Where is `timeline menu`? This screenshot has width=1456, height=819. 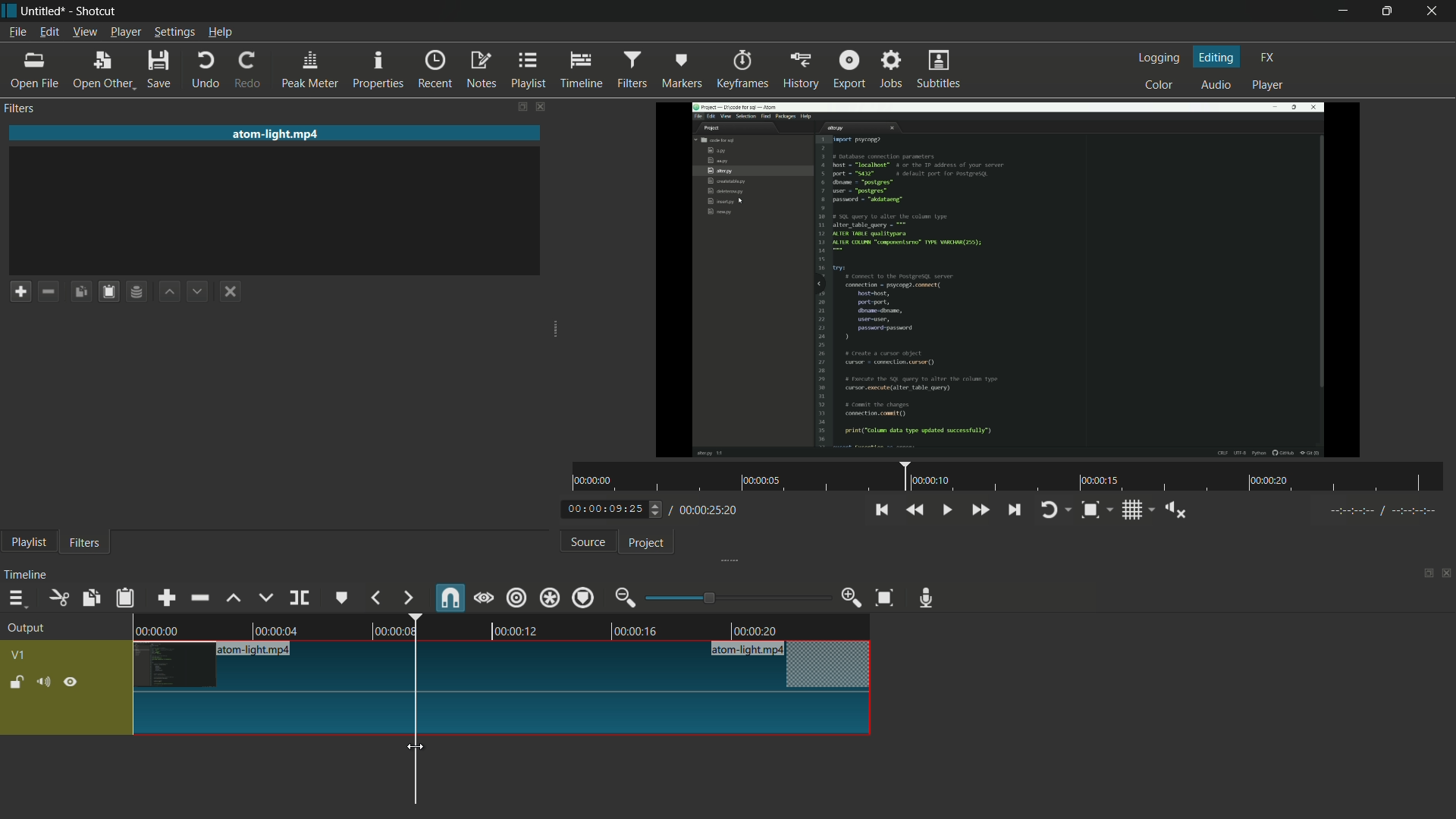 timeline menu is located at coordinates (16, 598).